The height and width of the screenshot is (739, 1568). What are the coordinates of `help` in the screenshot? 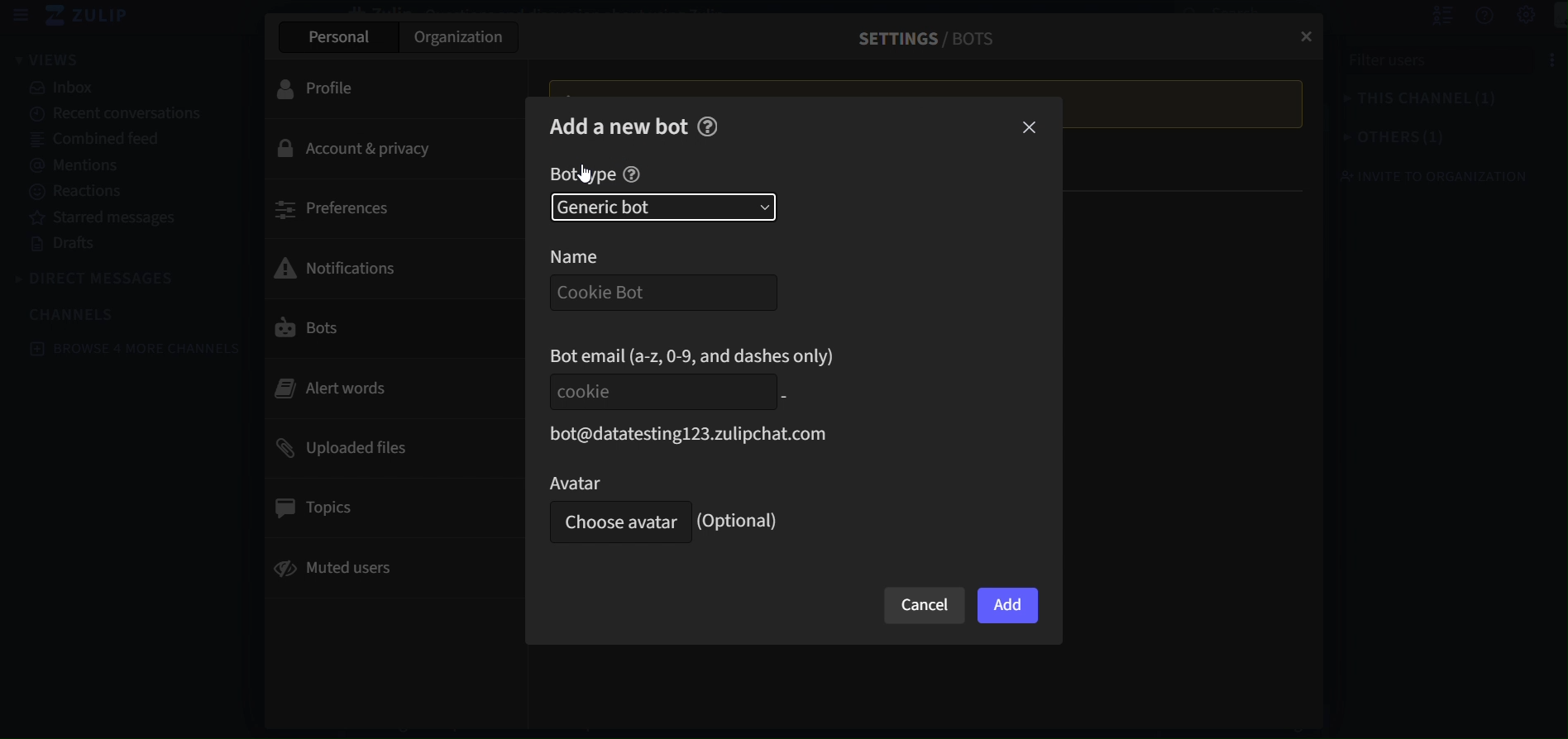 It's located at (708, 126).